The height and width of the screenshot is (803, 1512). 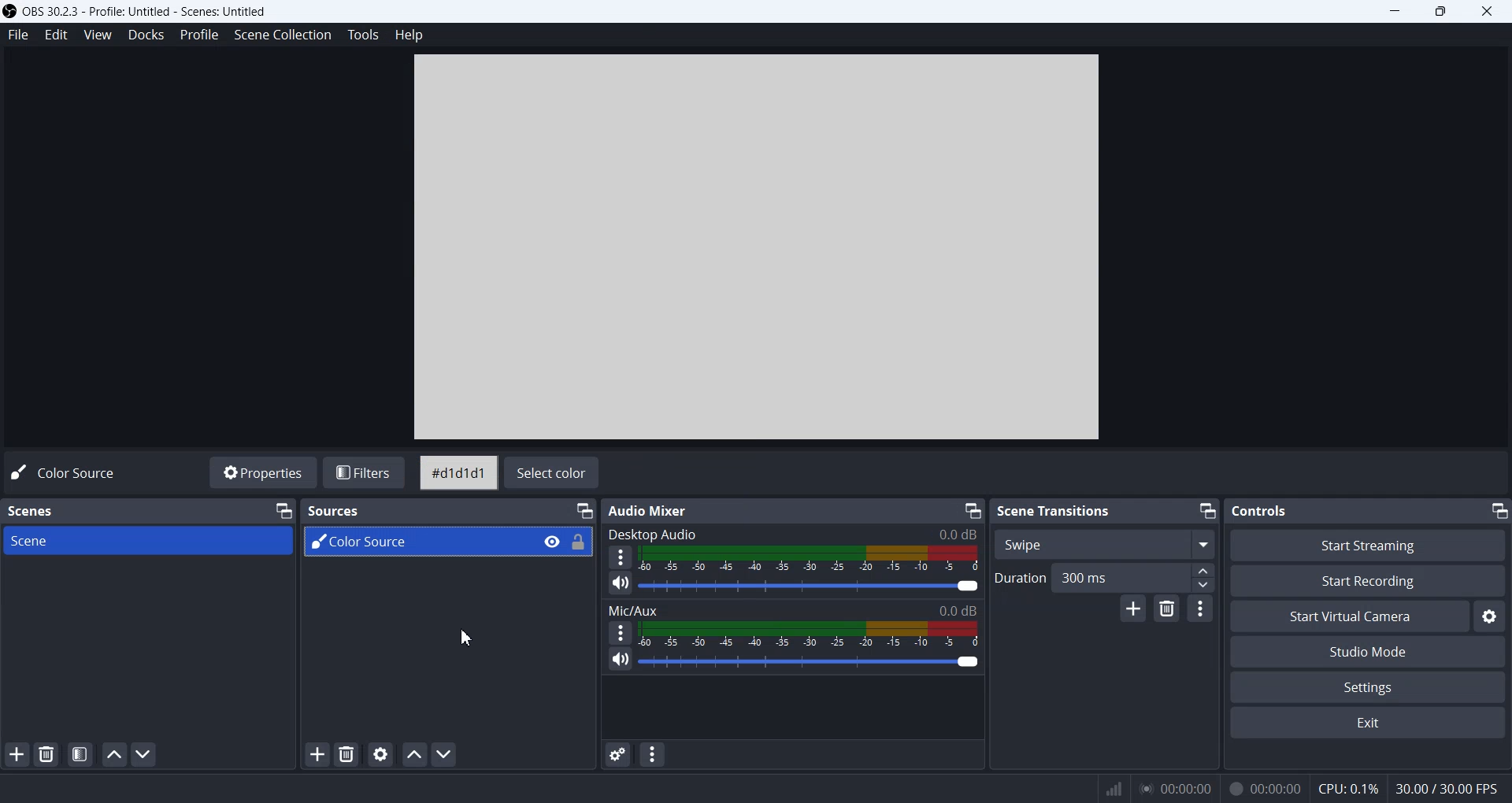 What do you see at coordinates (56, 34) in the screenshot?
I see `Edit` at bounding box center [56, 34].